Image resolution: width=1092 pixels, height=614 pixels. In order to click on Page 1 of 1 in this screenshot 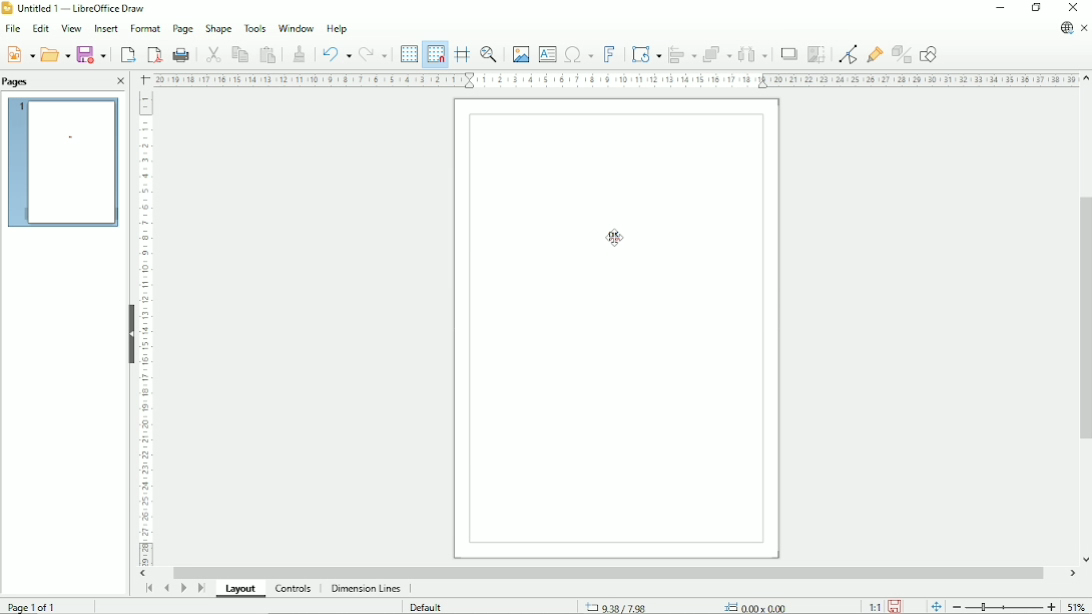, I will do `click(33, 607)`.